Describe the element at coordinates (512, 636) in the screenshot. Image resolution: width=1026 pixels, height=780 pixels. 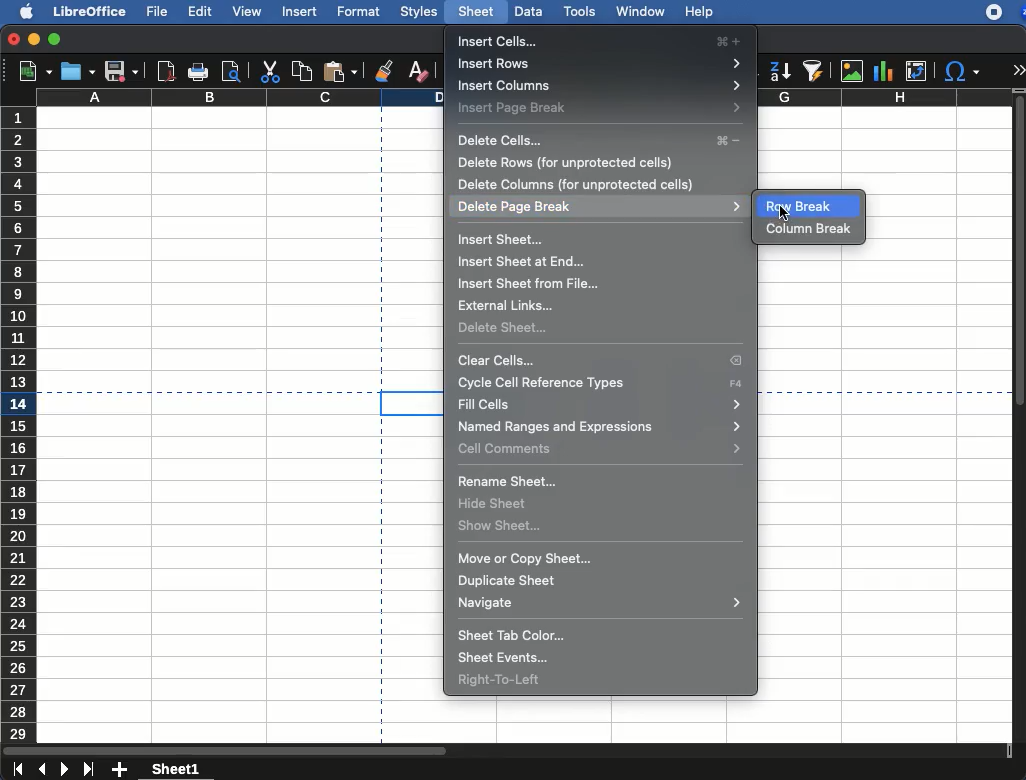
I see `sheet tab color` at that location.